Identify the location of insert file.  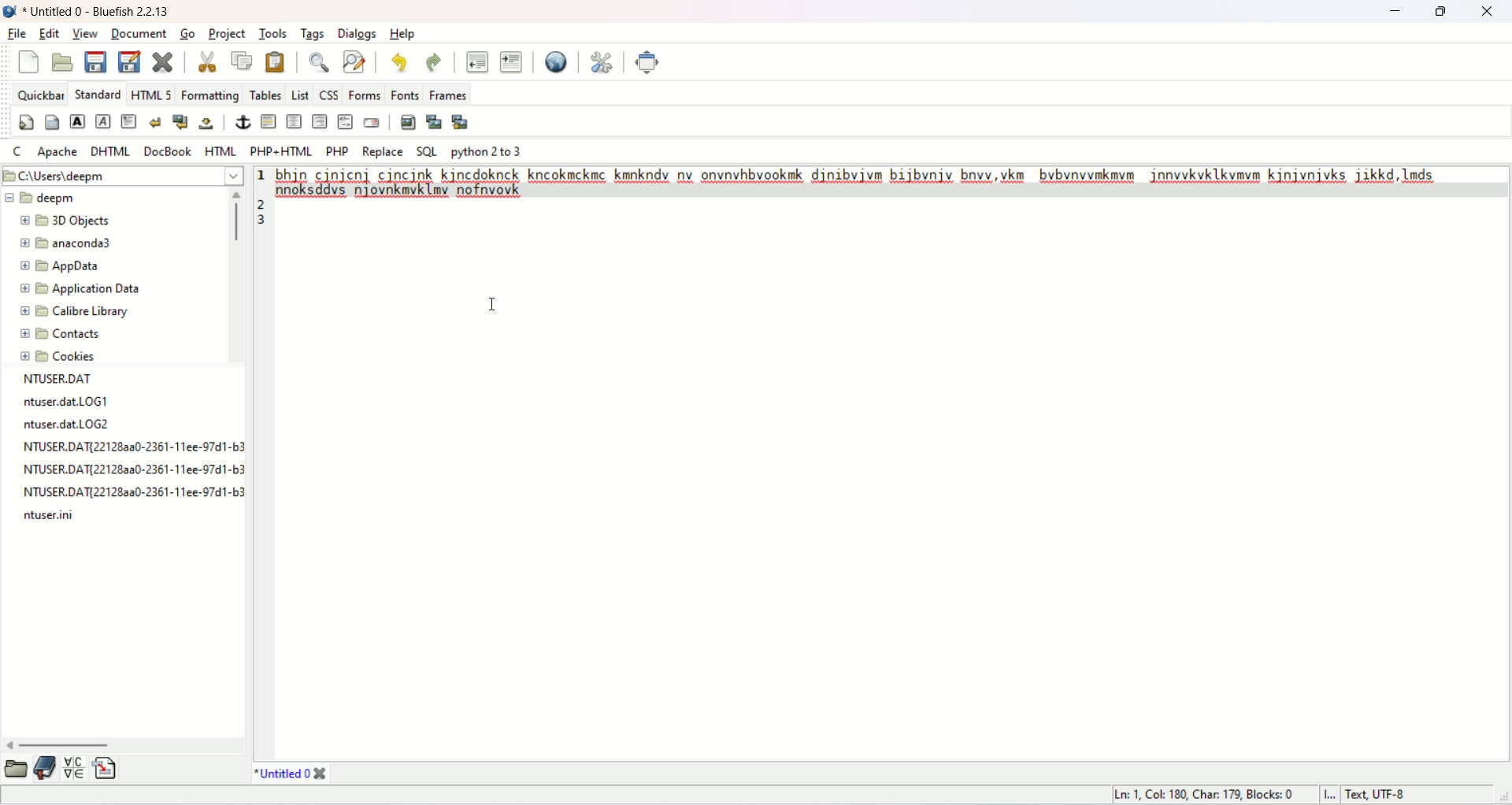
(105, 770).